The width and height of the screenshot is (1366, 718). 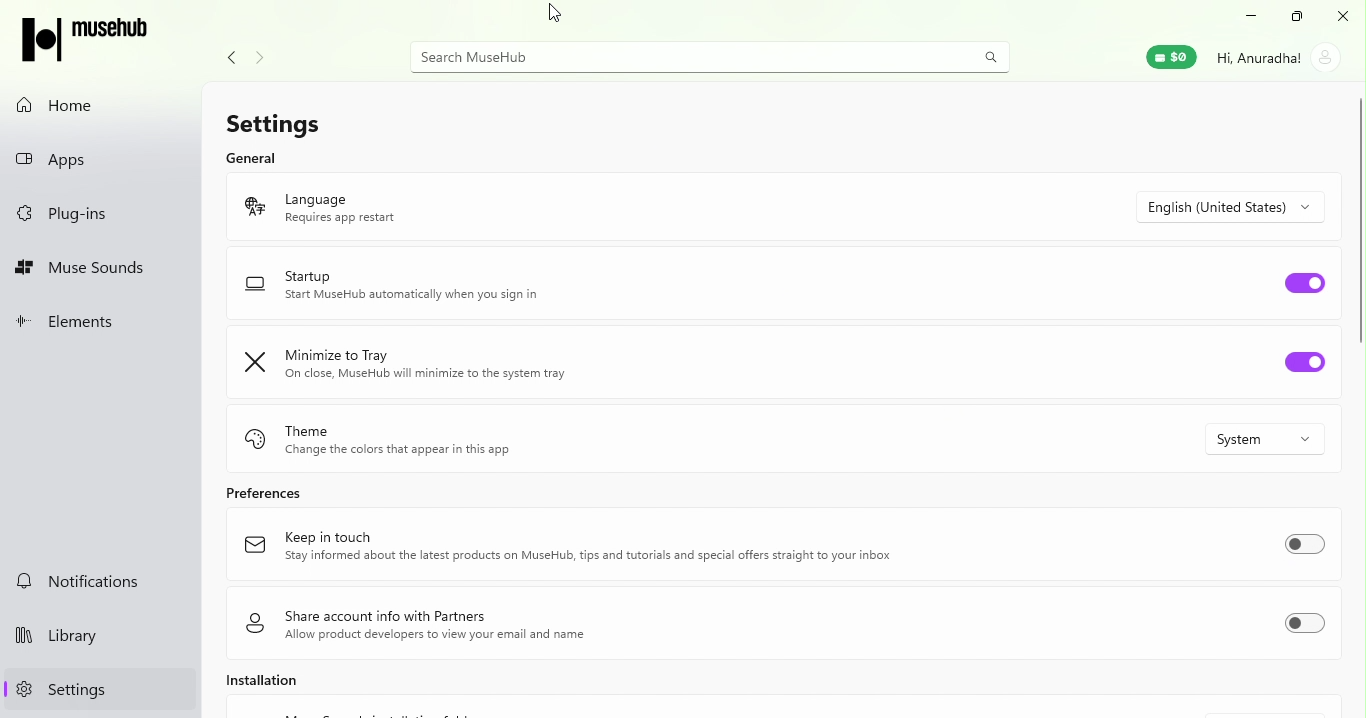 What do you see at coordinates (103, 213) in the screenshot?
I see `Plug-ins` at bounding box center [103, 213].